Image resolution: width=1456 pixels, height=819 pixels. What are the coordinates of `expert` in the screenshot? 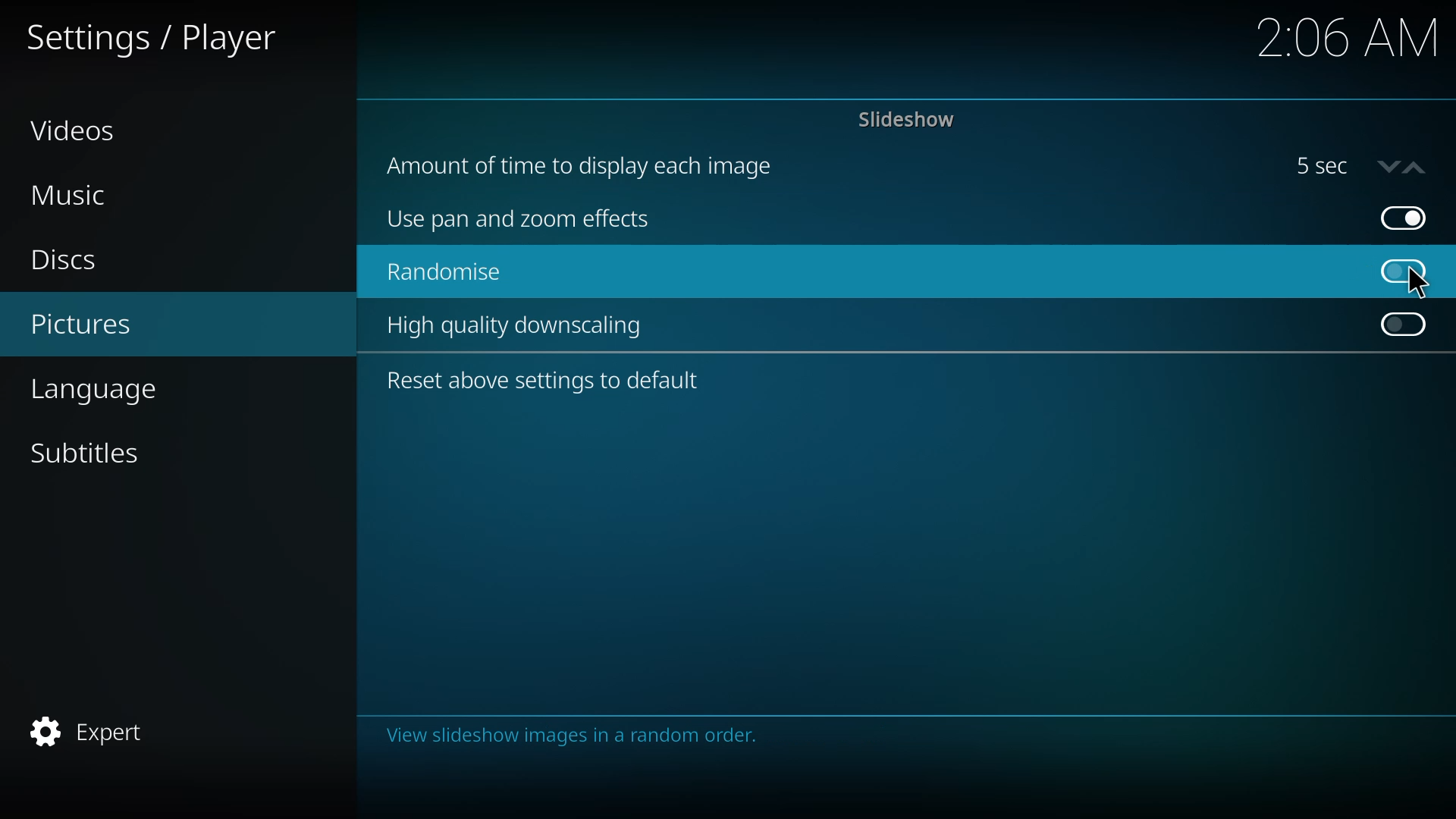 It's located at (92, 730).